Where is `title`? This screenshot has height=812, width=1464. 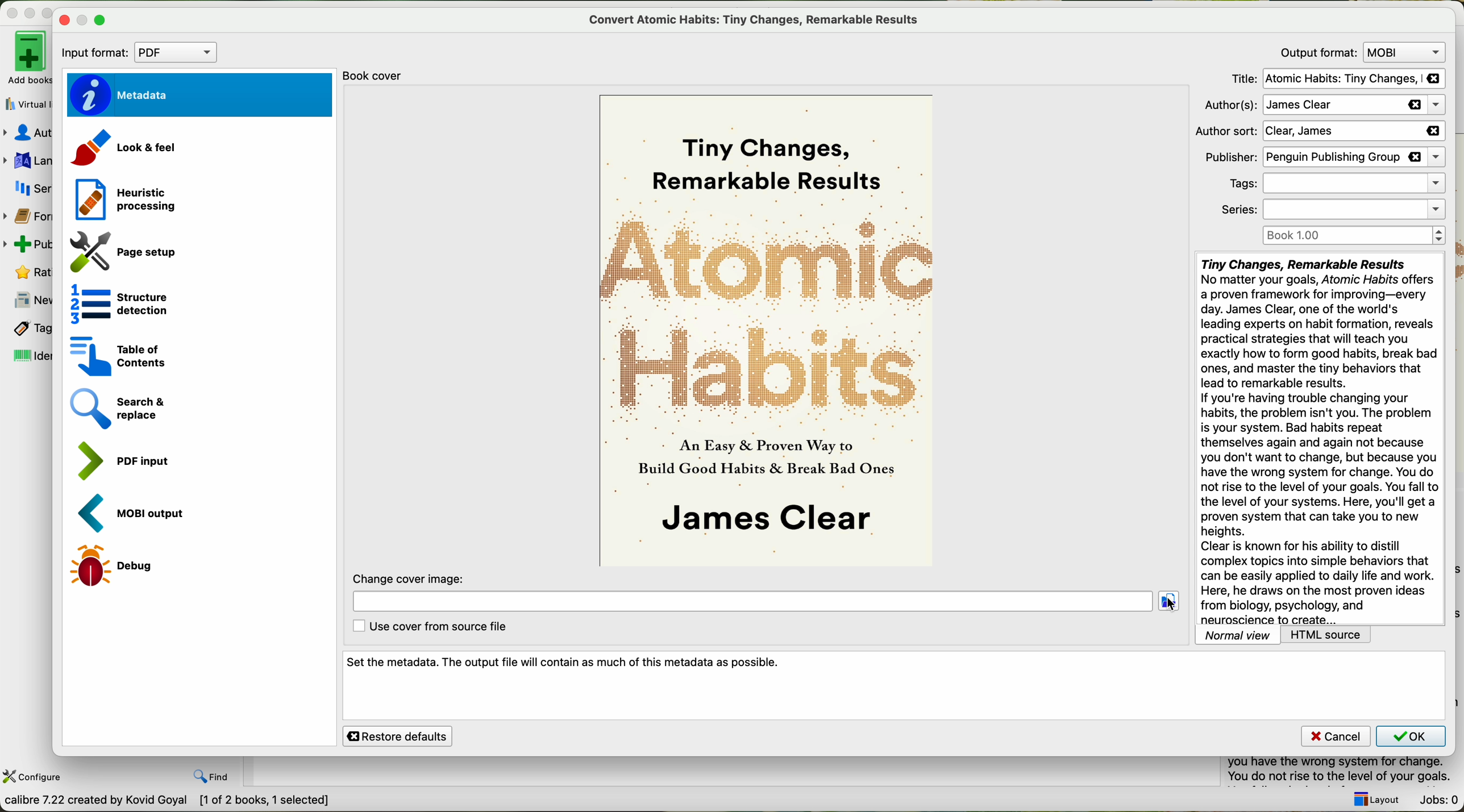
title is located at coordinates (1338, 79).